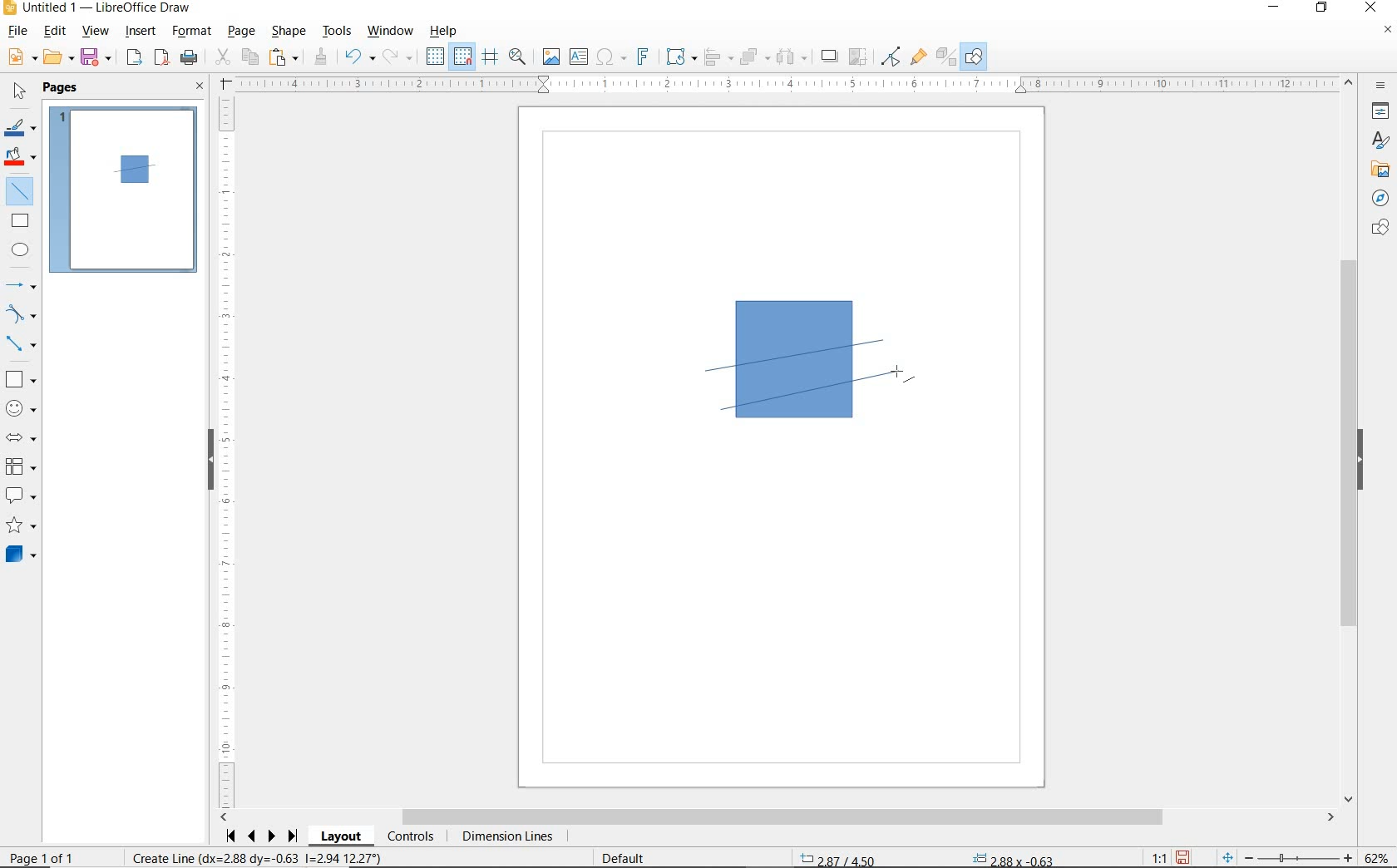 The height and width of the screenshot is (868, 1397). I want to click on PAGES, so click(62, 89).